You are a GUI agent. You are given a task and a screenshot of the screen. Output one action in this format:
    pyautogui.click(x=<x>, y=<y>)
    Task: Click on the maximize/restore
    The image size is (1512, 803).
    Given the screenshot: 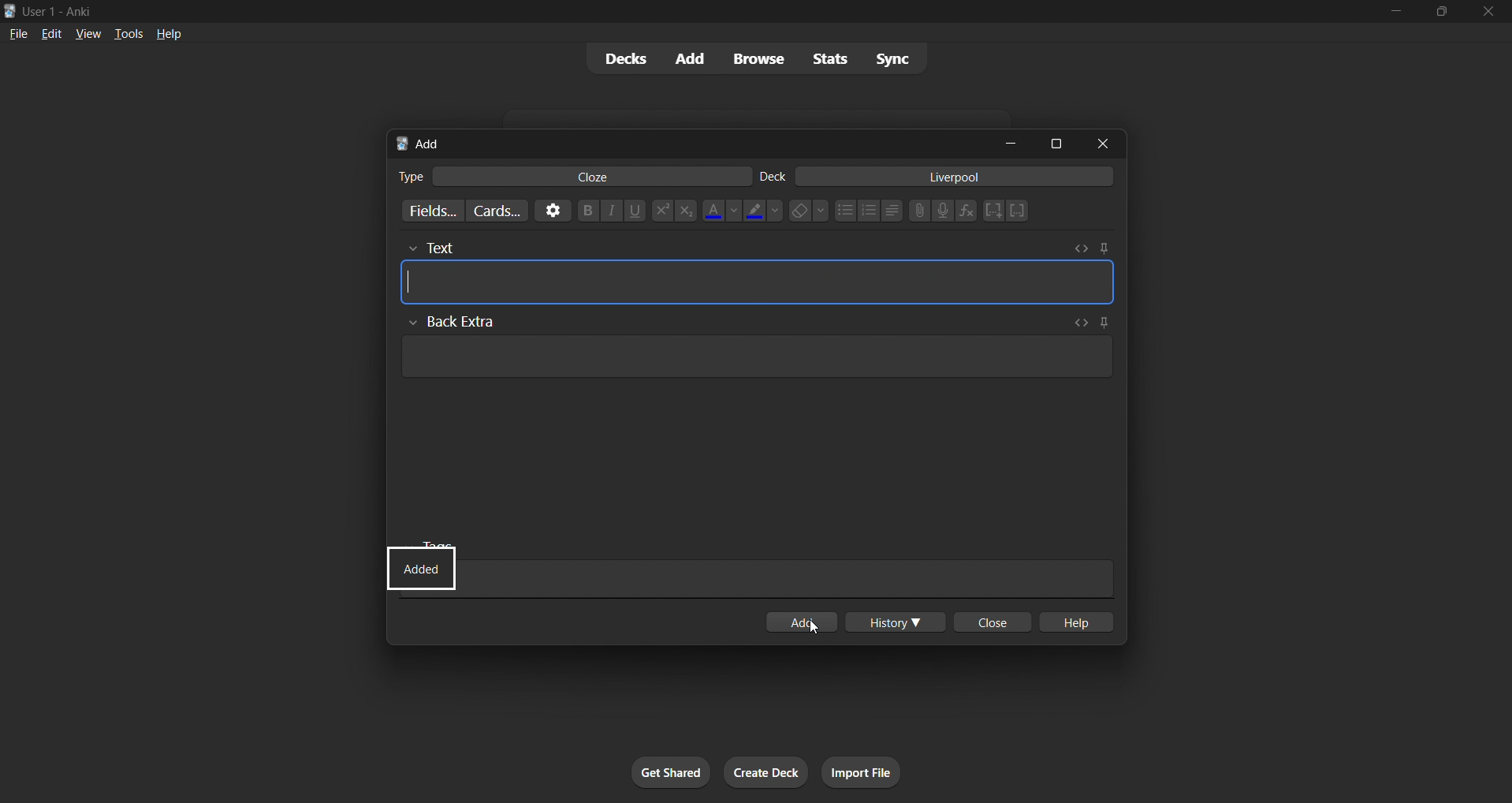 What is the action you would take?
    pyautogui.click(x=1441, y=14)
    